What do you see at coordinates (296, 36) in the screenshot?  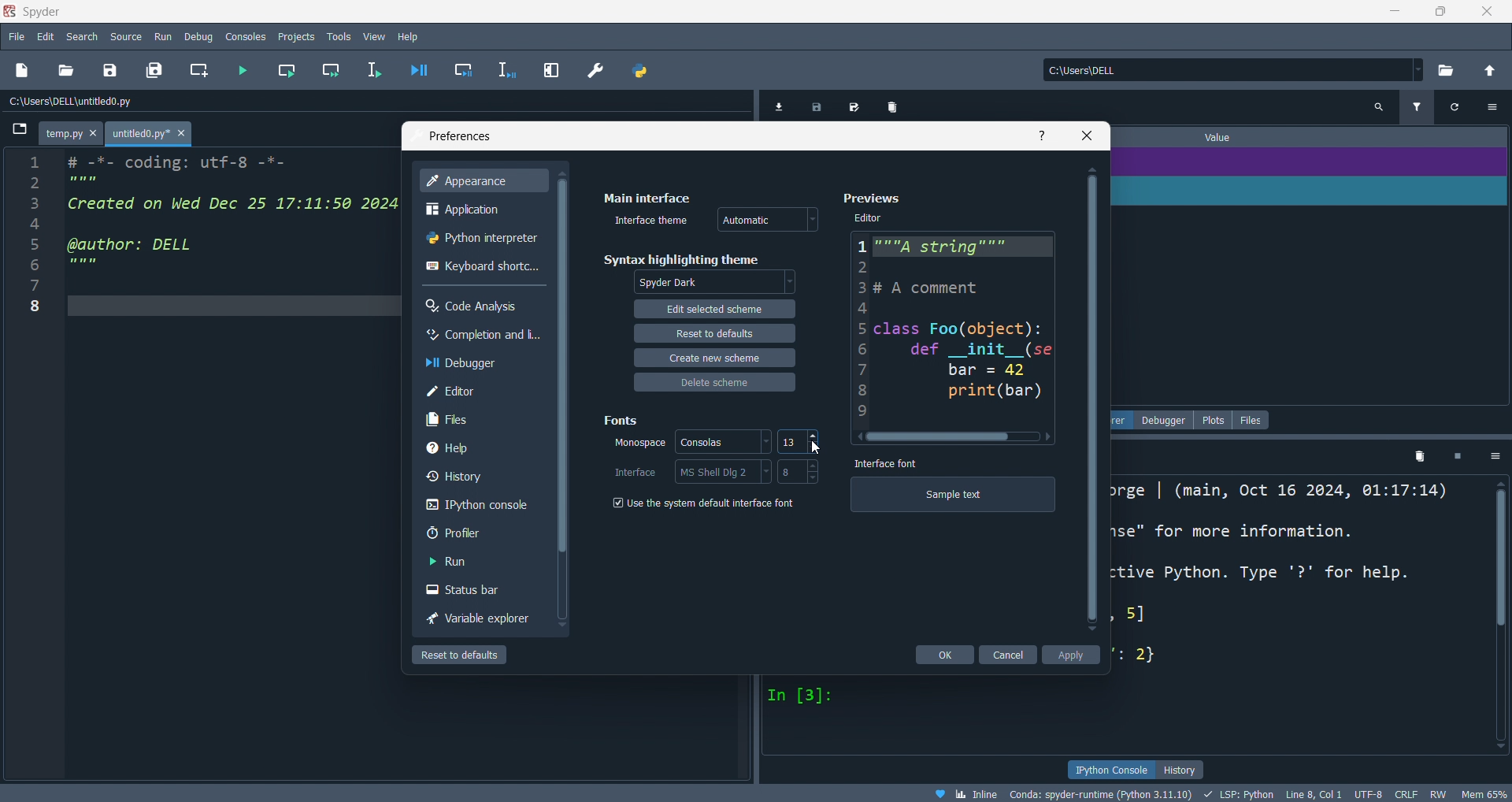 I see `projects` at bounding box center [296, 36].